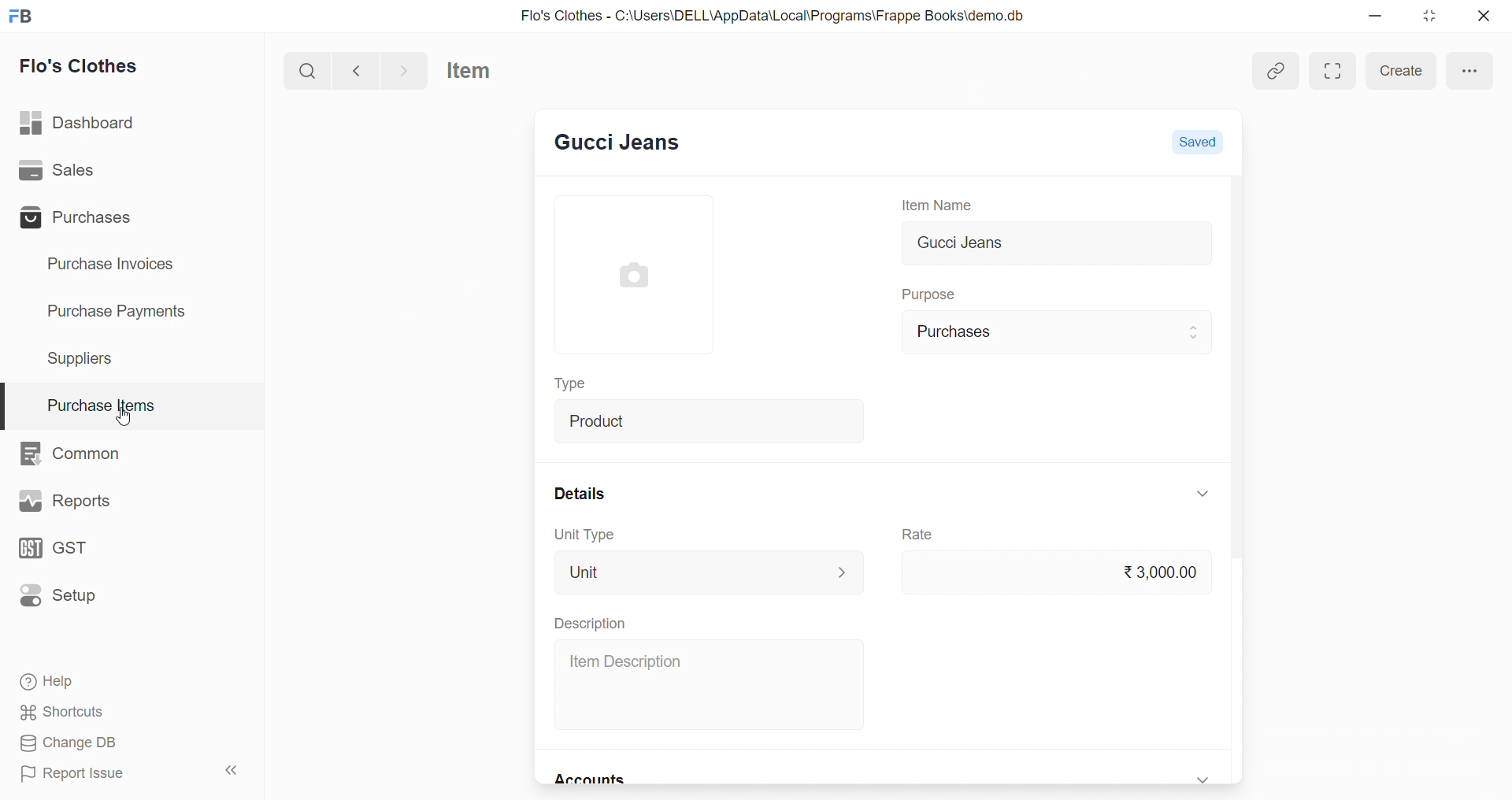  I want to click on Item Description, so click(713, 685).